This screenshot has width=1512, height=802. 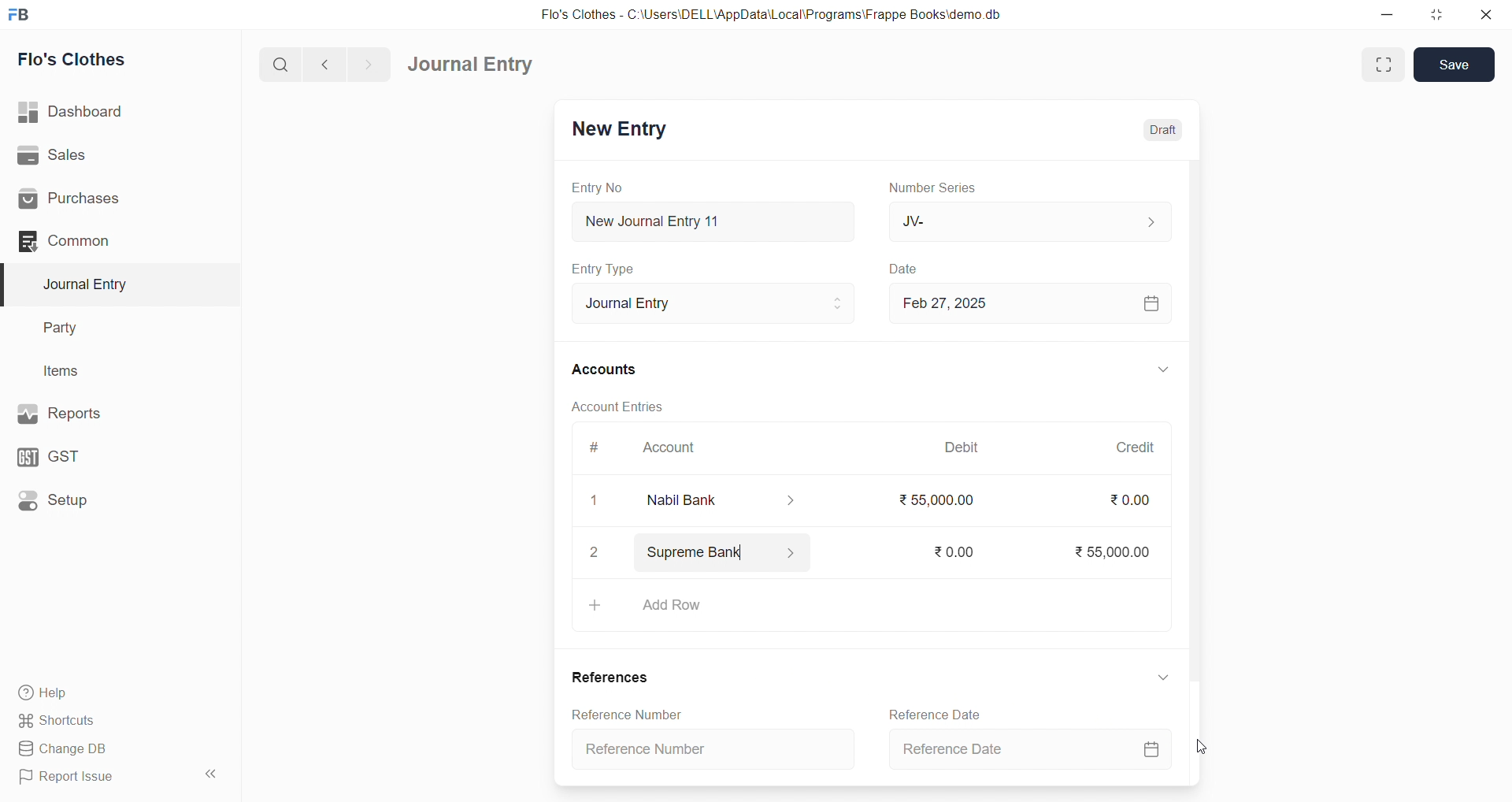 I want to click on navigate backward, so click(x=327, y=65).